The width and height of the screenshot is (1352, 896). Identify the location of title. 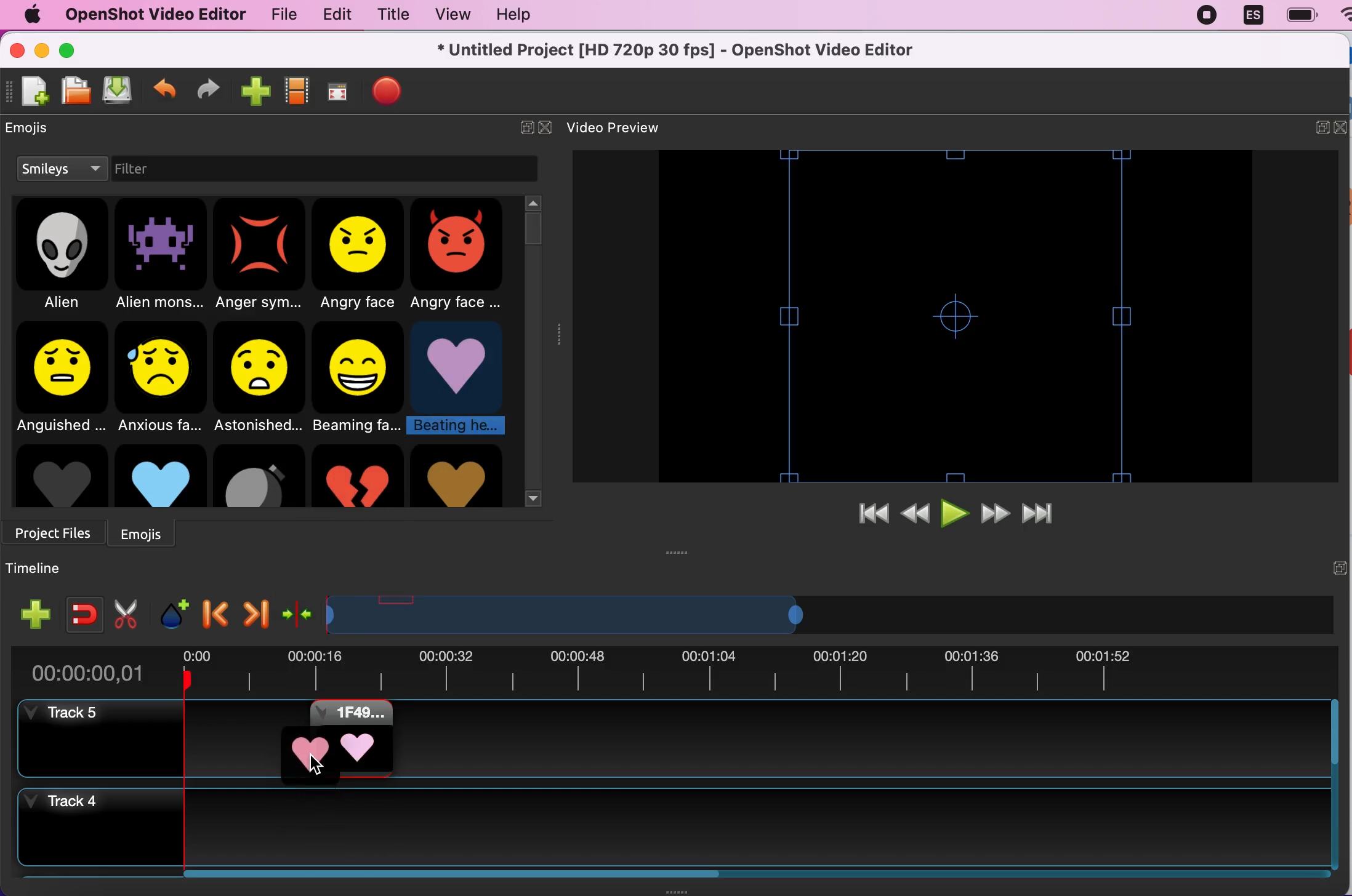
(388, 15).